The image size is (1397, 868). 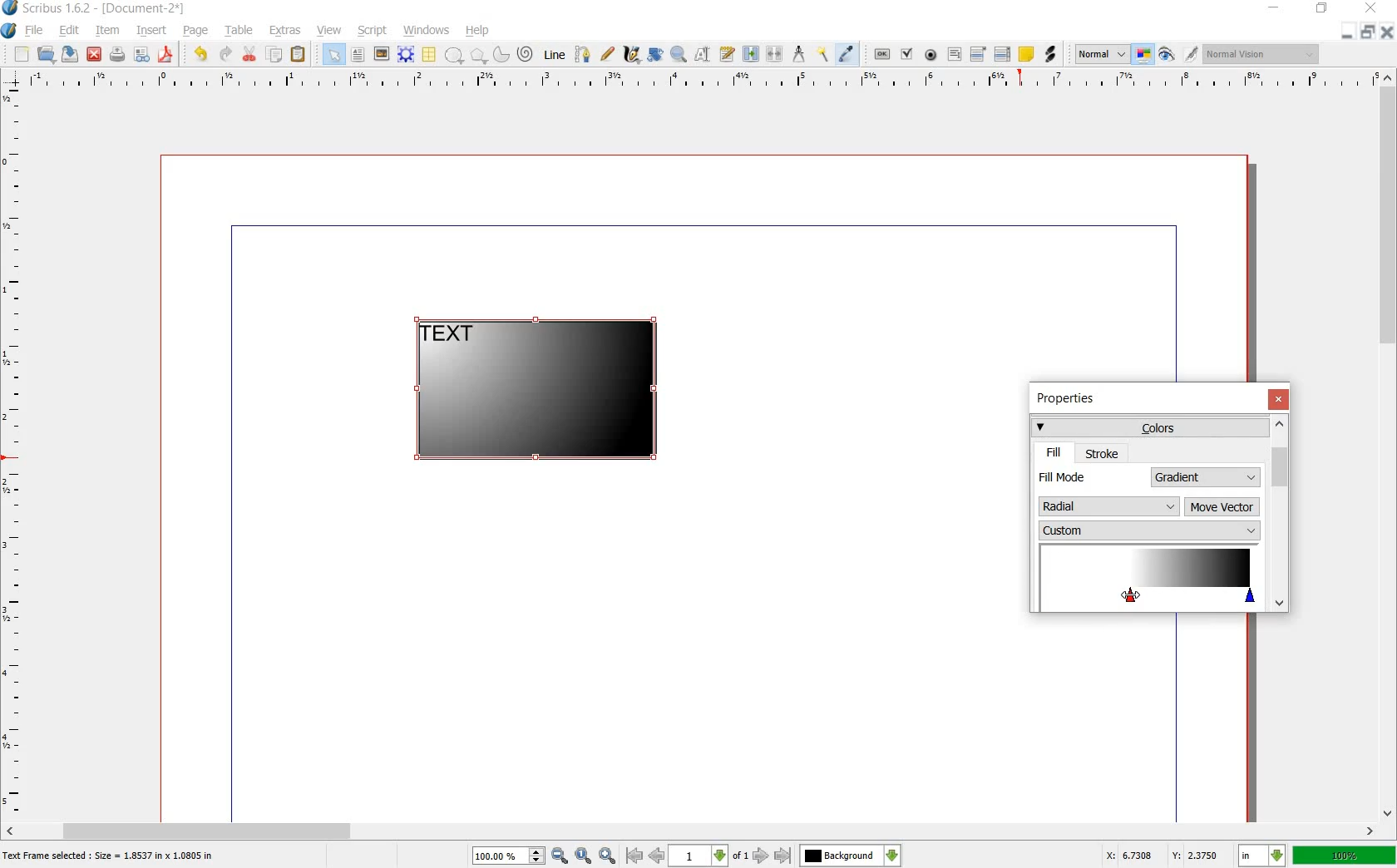 I want to click on fill, so click(x=1054, y=452).